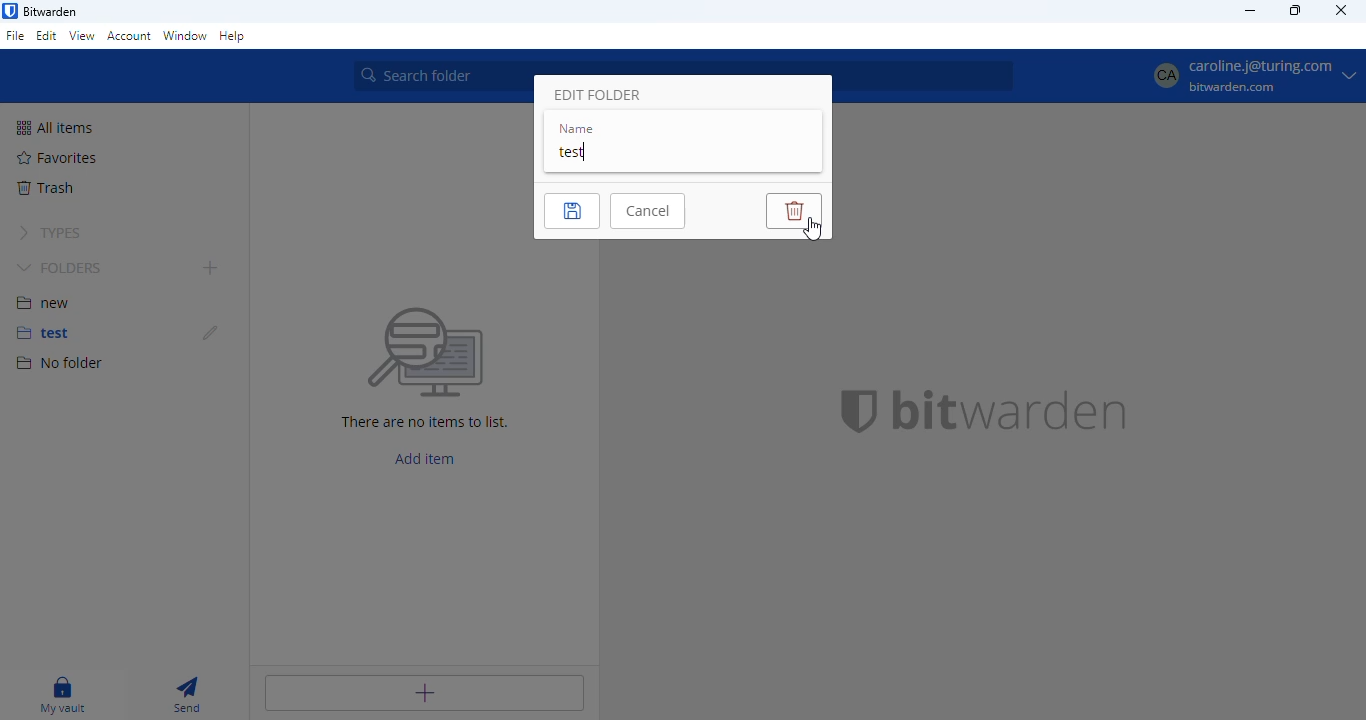 This screenshot has width=1366, height=720. I want to click on window, so click(186, 37).